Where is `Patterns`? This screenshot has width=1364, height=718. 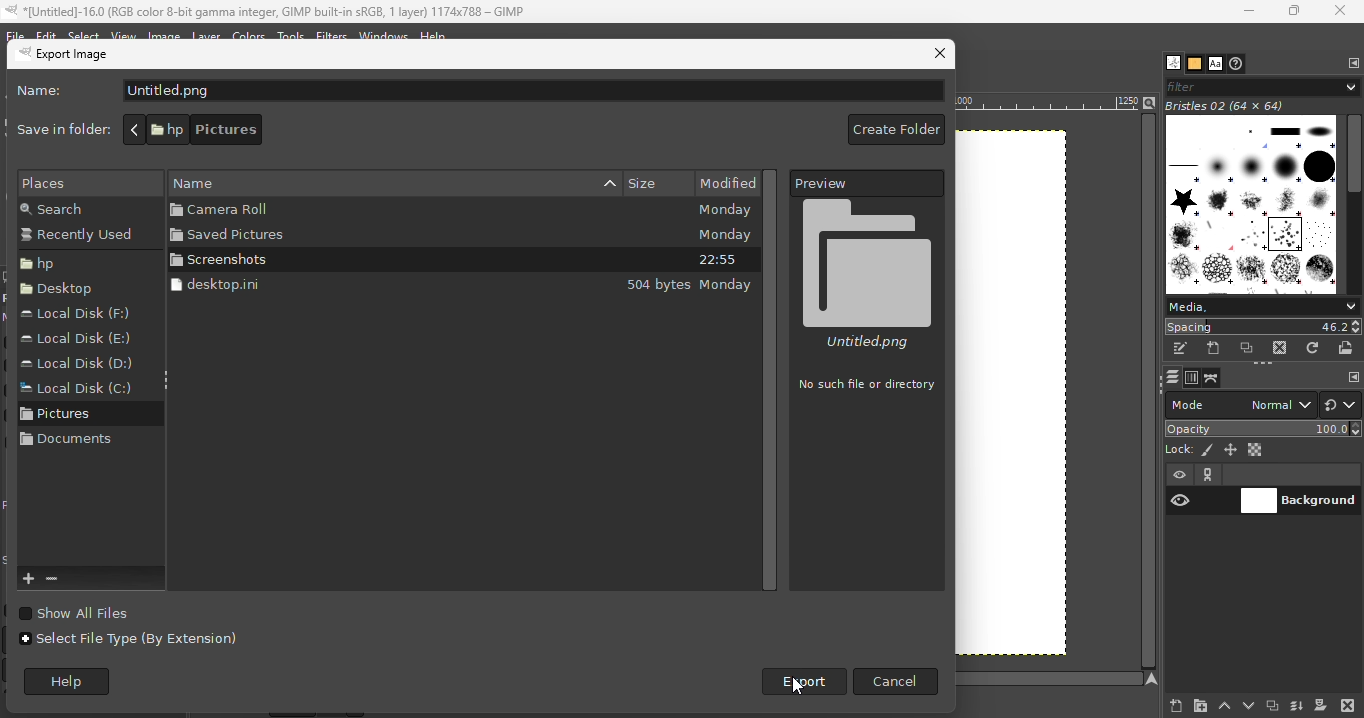
Patterns is located at coordinates (1194, 64).